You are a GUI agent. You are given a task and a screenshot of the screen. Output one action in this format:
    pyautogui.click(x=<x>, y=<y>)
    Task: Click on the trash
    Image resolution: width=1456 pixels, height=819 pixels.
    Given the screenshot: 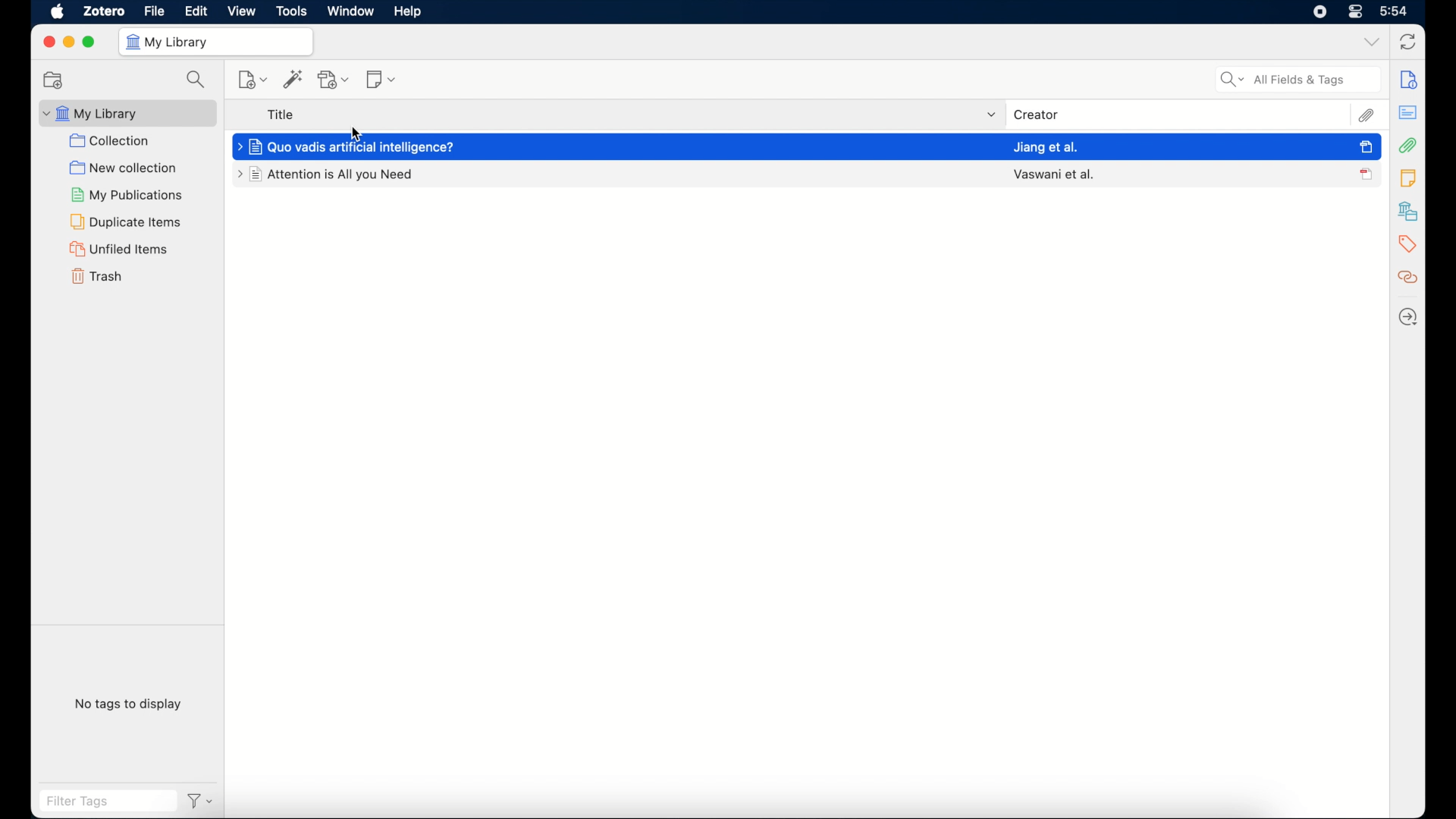 What is the action you would take?
    pyautogui.click(x=97, y=276)
    